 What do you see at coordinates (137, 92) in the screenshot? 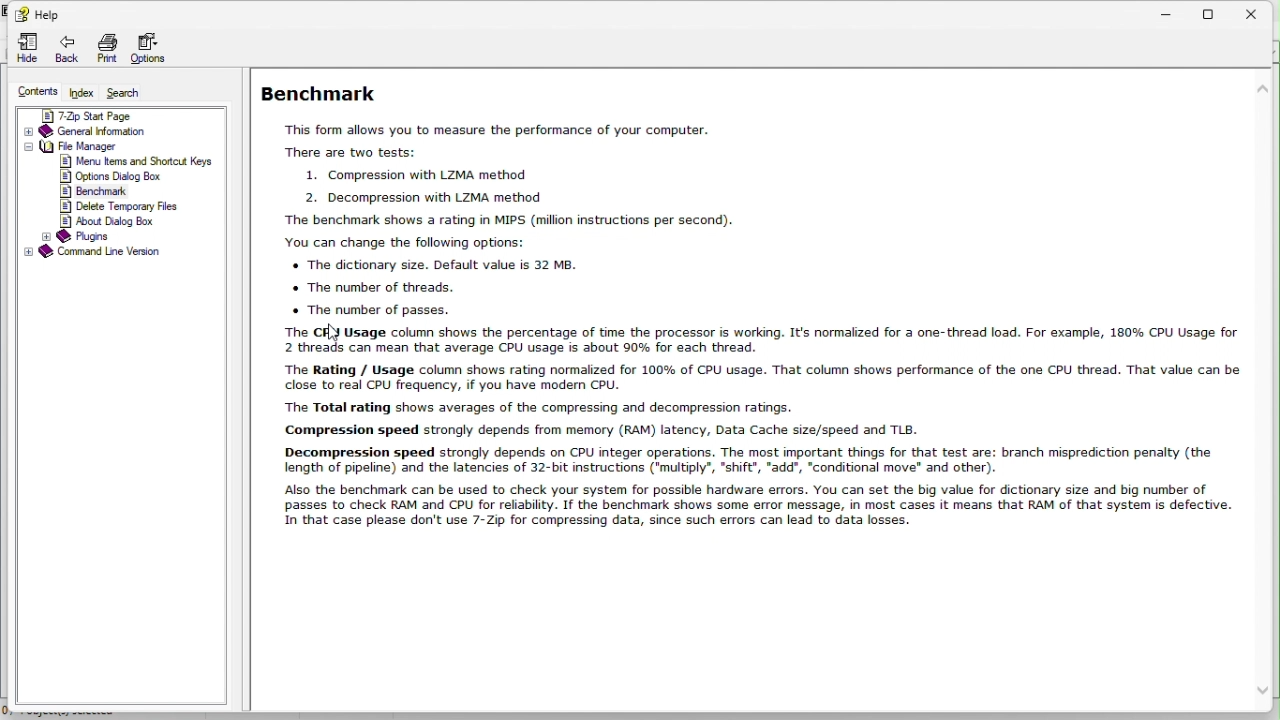
I see `Search` at bounding box center [137, 92].